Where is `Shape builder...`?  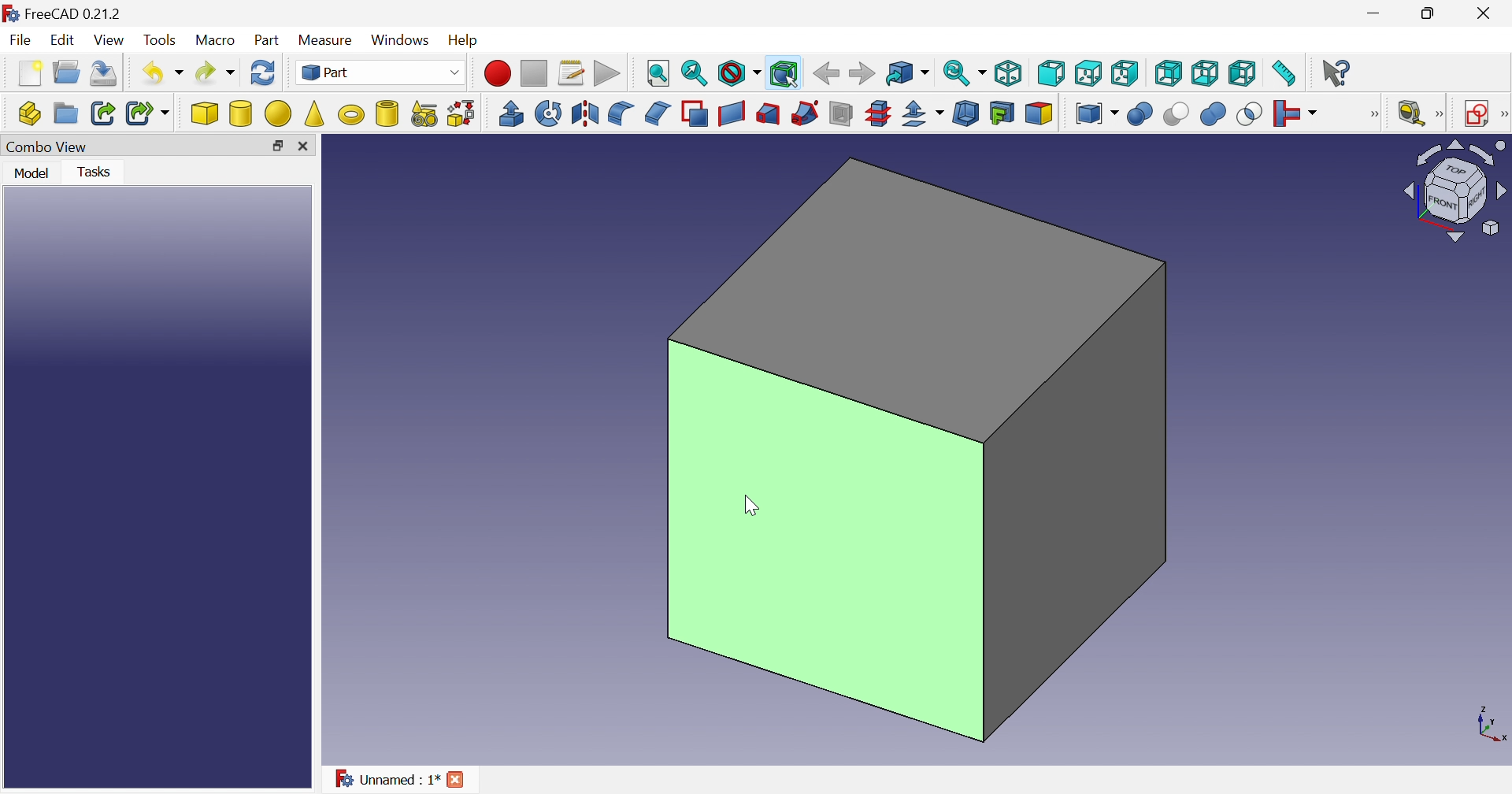 Shape builder... is located at coordinates (460, 113).